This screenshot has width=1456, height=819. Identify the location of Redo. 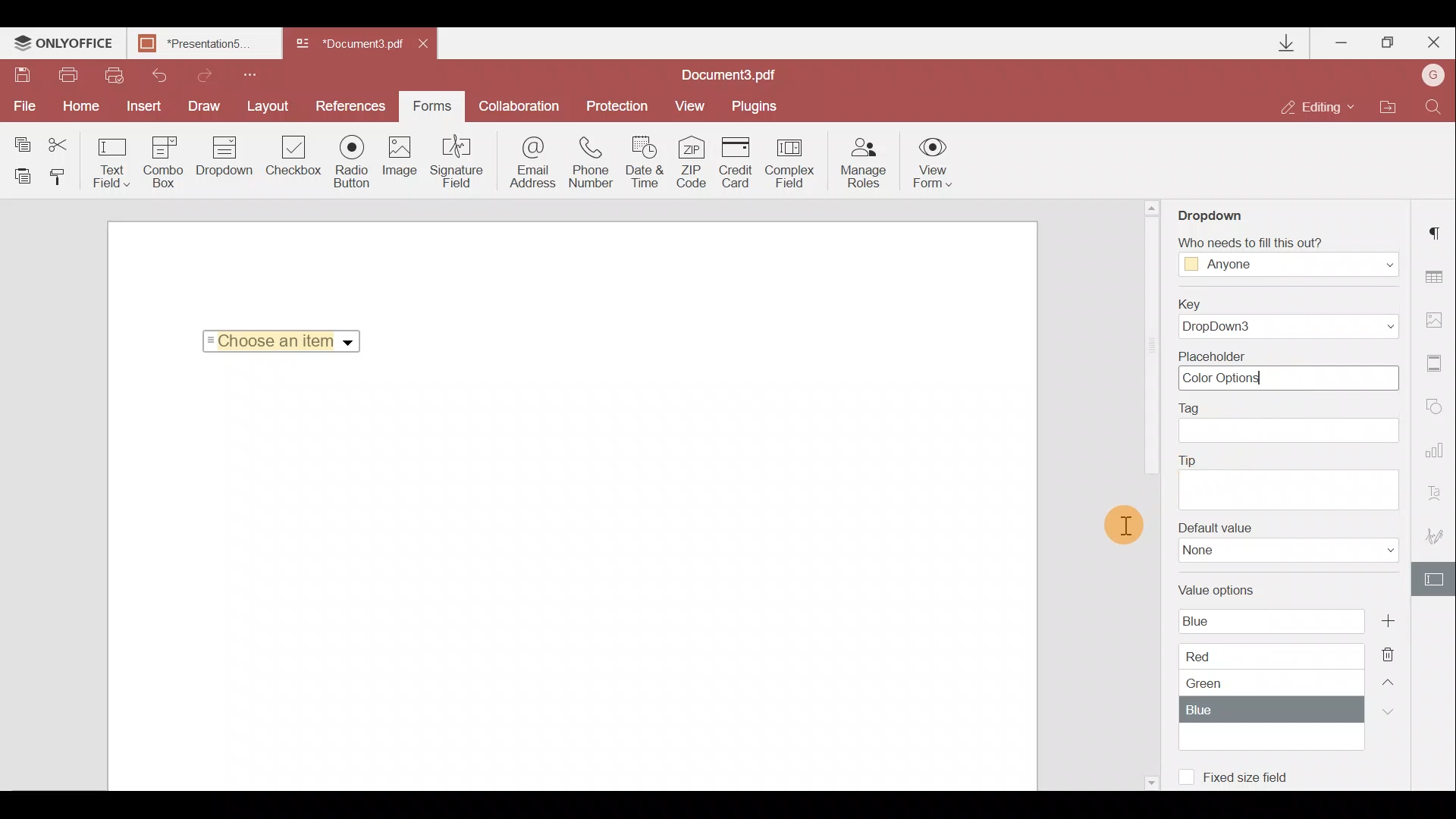
(206, 74).